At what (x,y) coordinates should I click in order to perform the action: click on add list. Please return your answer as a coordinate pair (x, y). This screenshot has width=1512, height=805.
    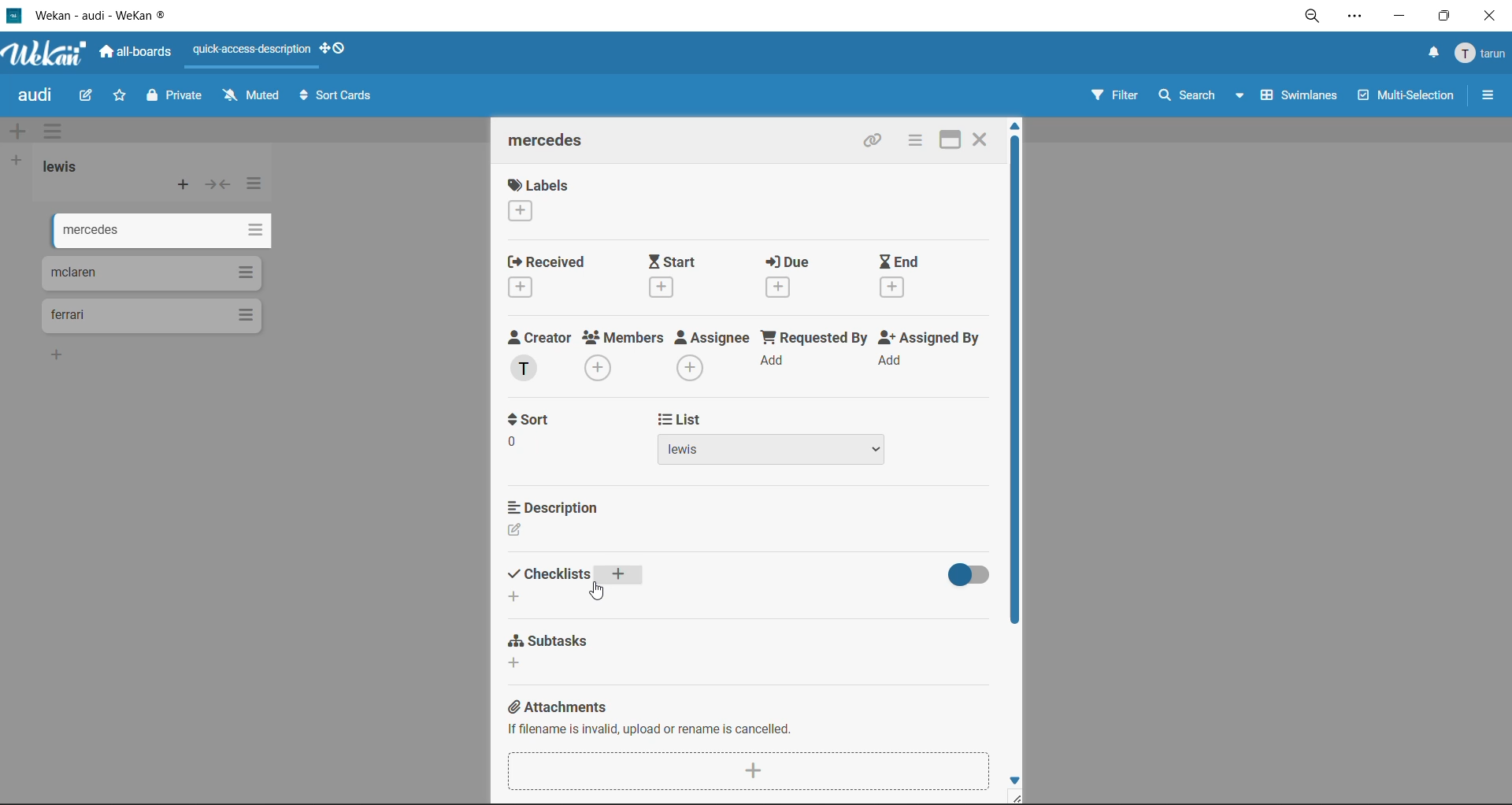
    Looking at the image, I should click on (17, 161).